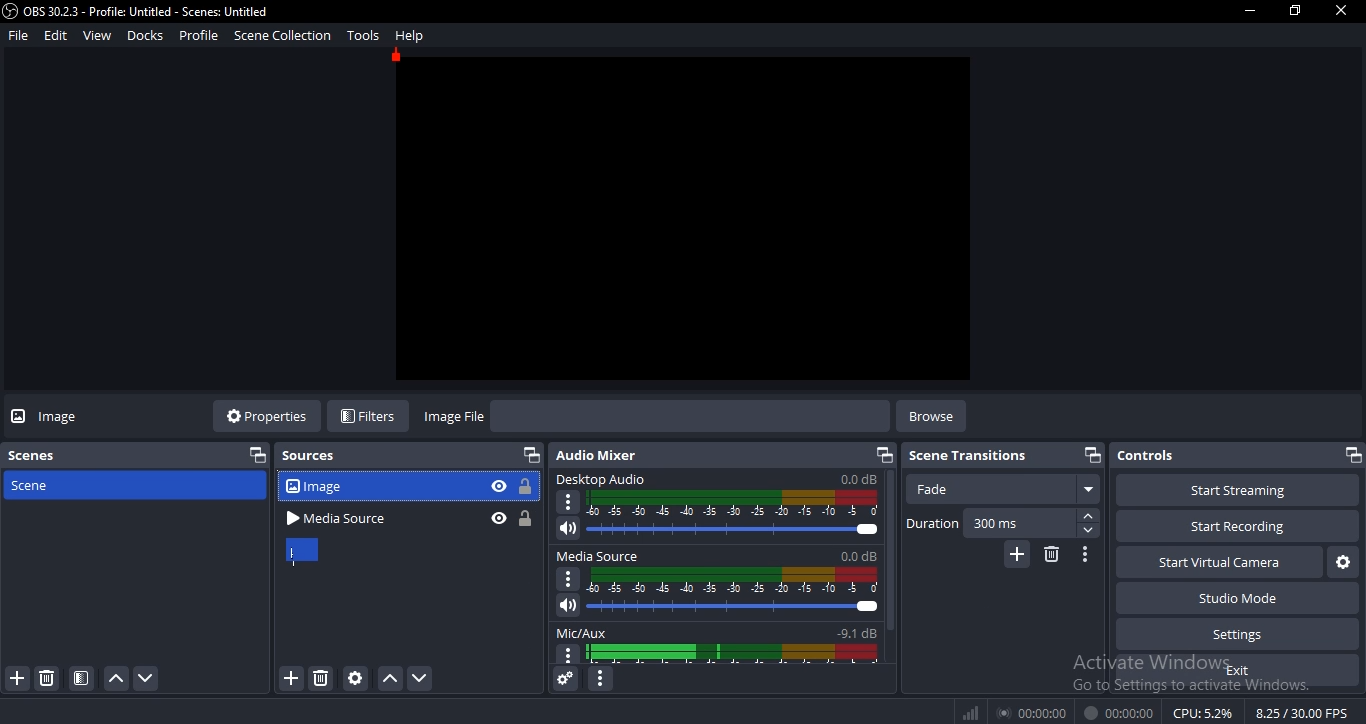 This screenshot has height=724, width=1366. I want to click on controls, so click(1225, 456).